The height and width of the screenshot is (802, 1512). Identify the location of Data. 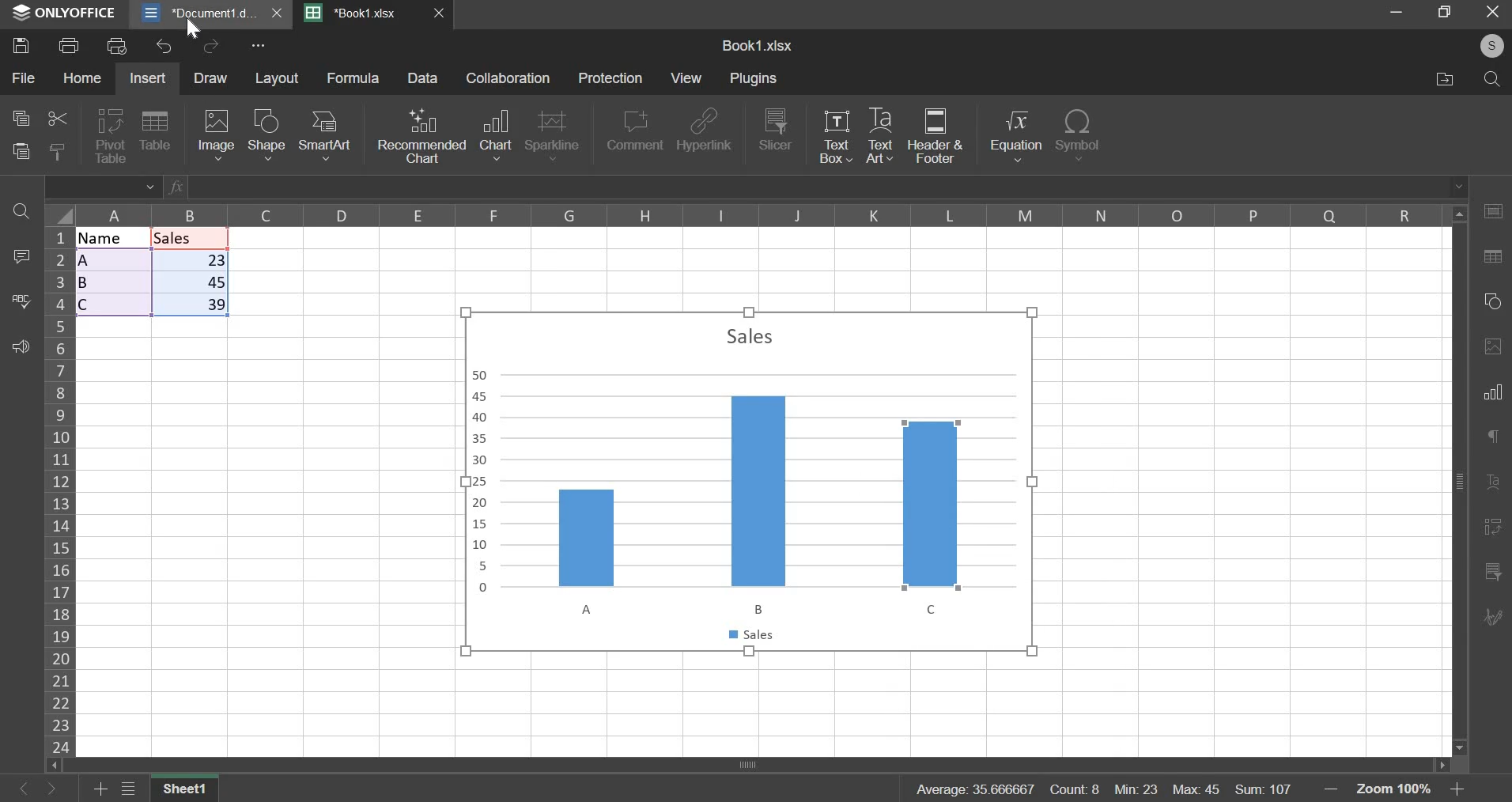
(424, 78).